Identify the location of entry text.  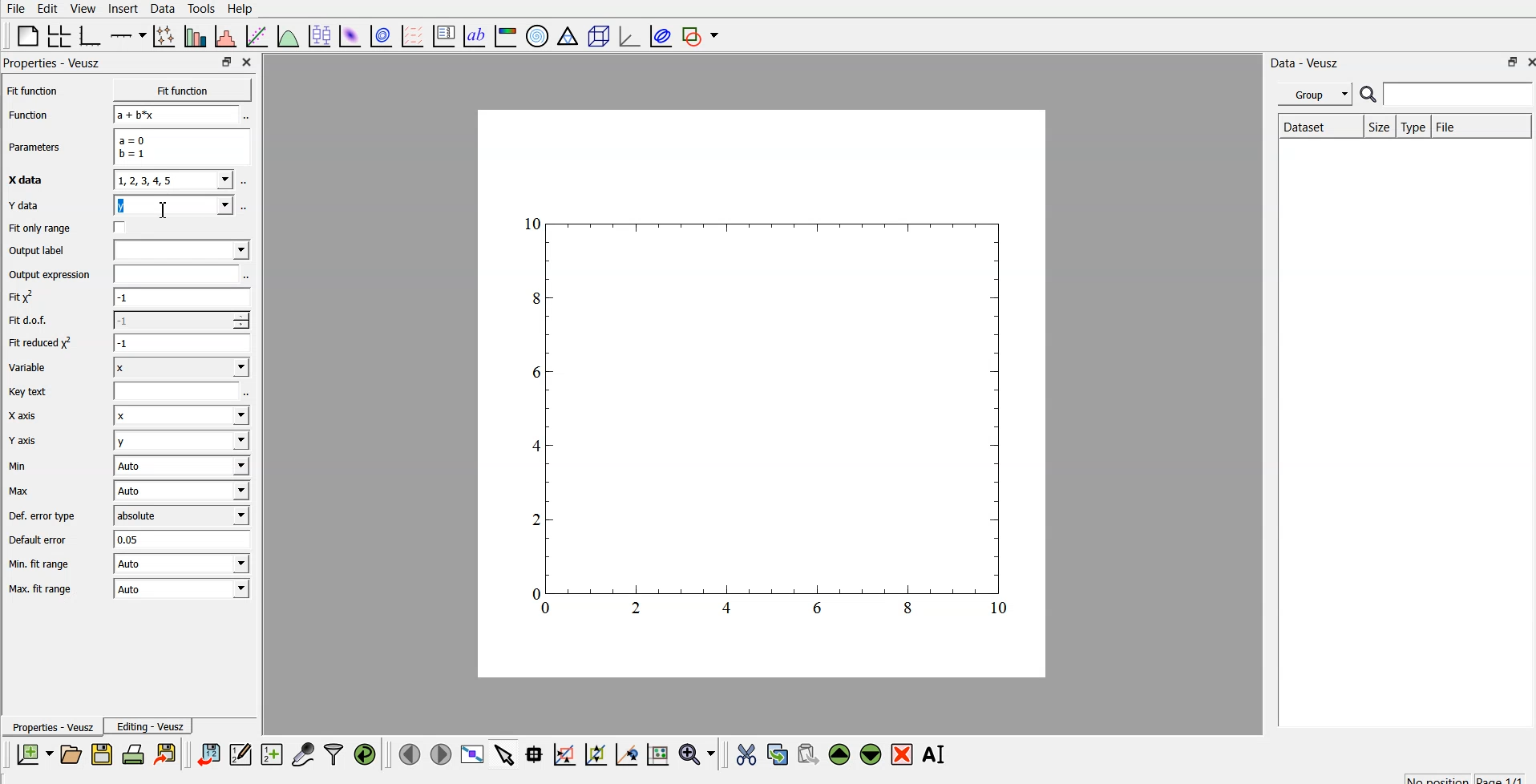
(182, 394).